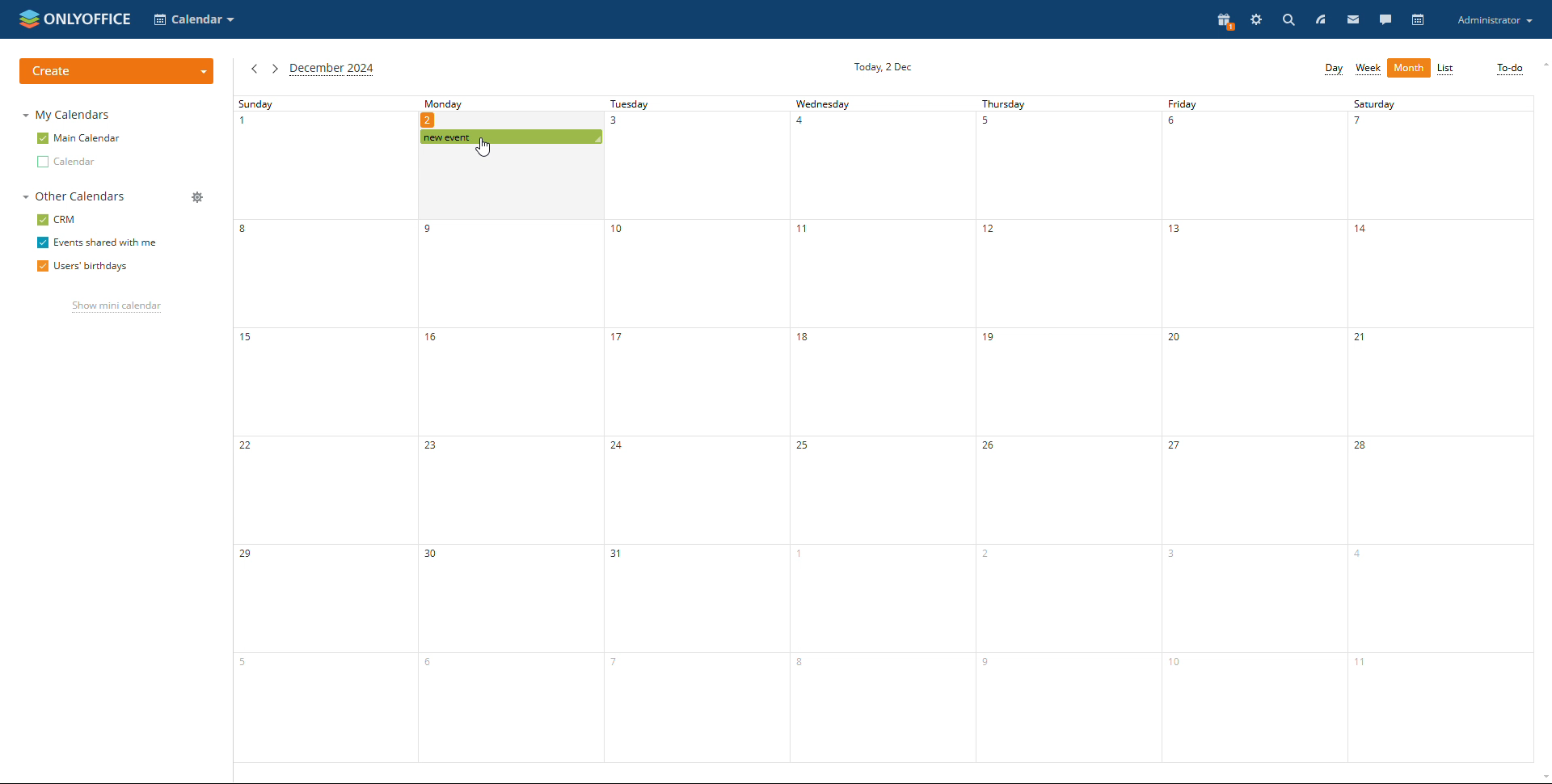  What do you see at coordinates (322, 427) in the screenshot?
I see `sunday's` at bounding box center [322, 427].